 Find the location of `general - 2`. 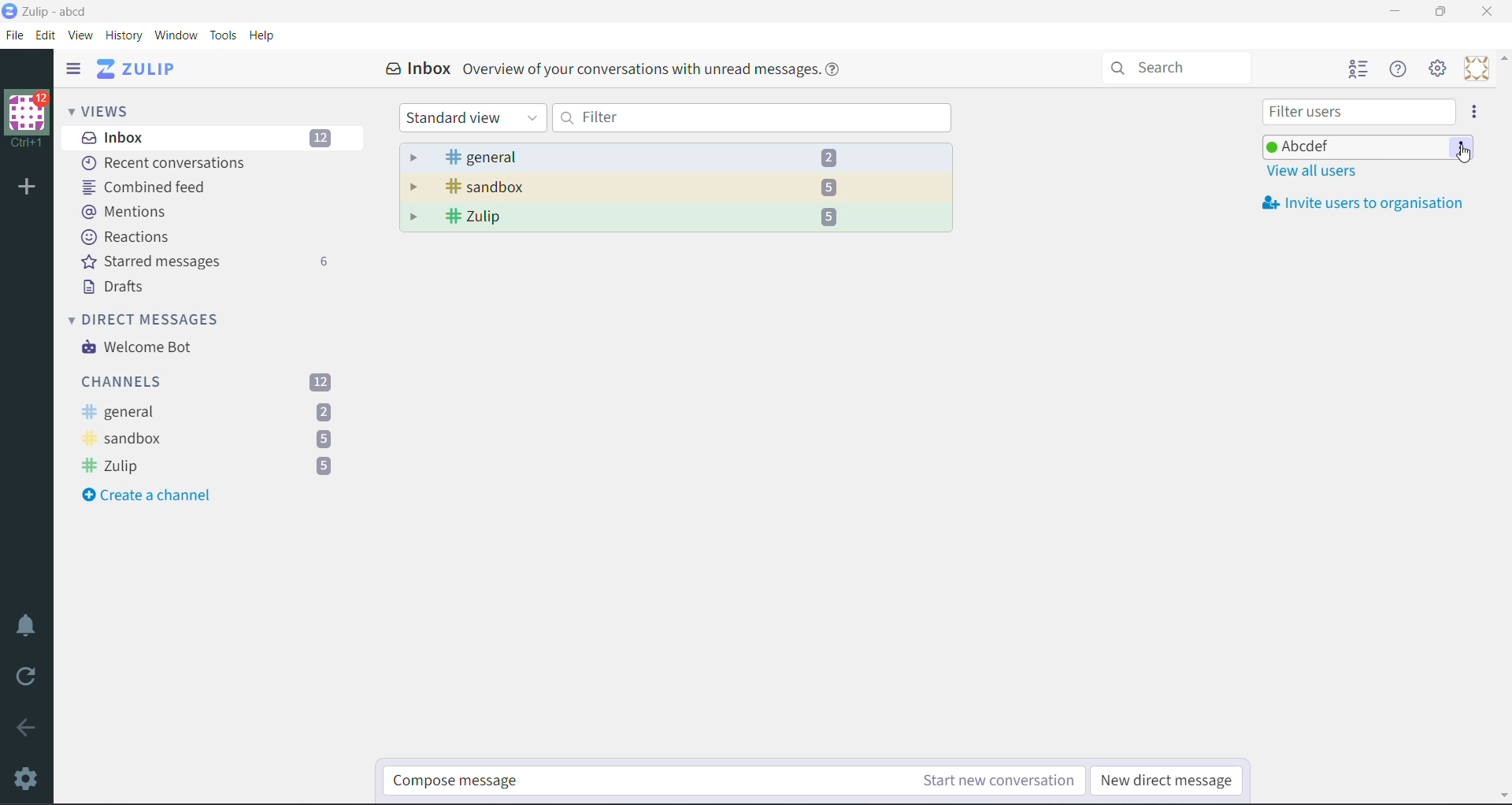

general - 2 is located at coordinates (676, 157).